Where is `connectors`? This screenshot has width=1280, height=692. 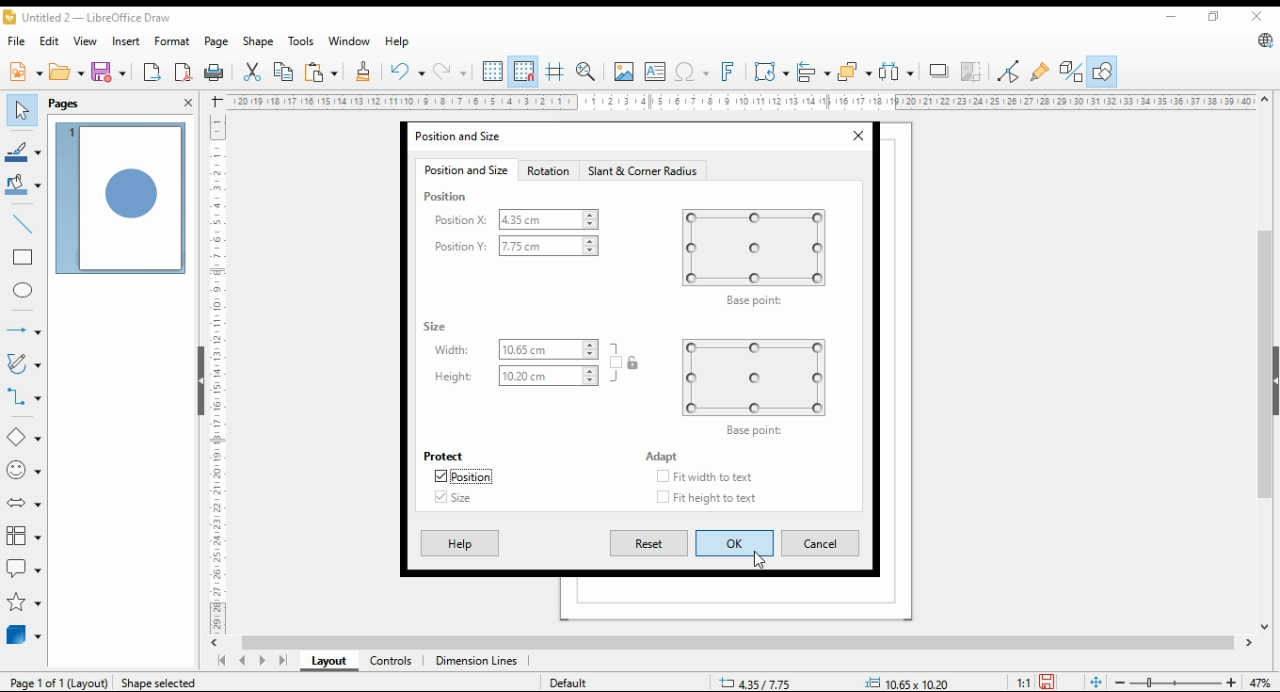
connectors is located at coordinates (25, 398).